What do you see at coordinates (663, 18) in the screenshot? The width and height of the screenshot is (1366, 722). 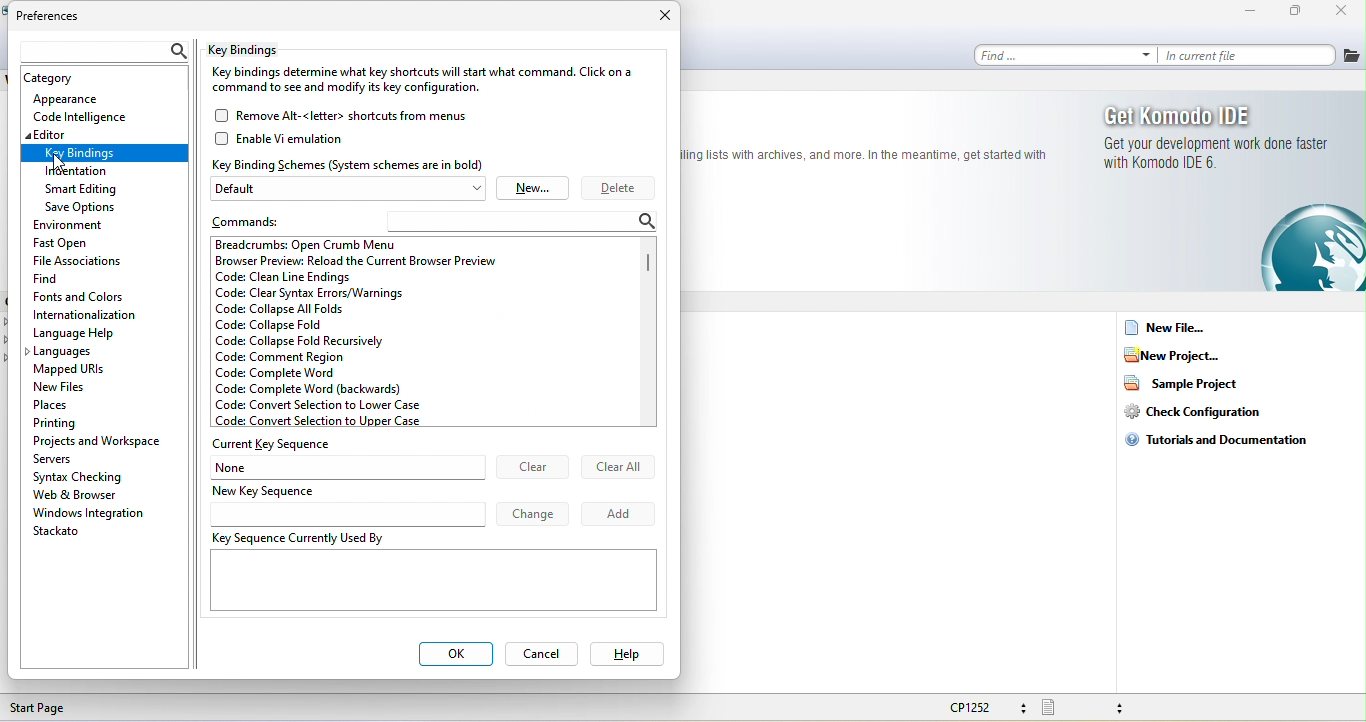 I see `close` at bounding box center [663, 18].